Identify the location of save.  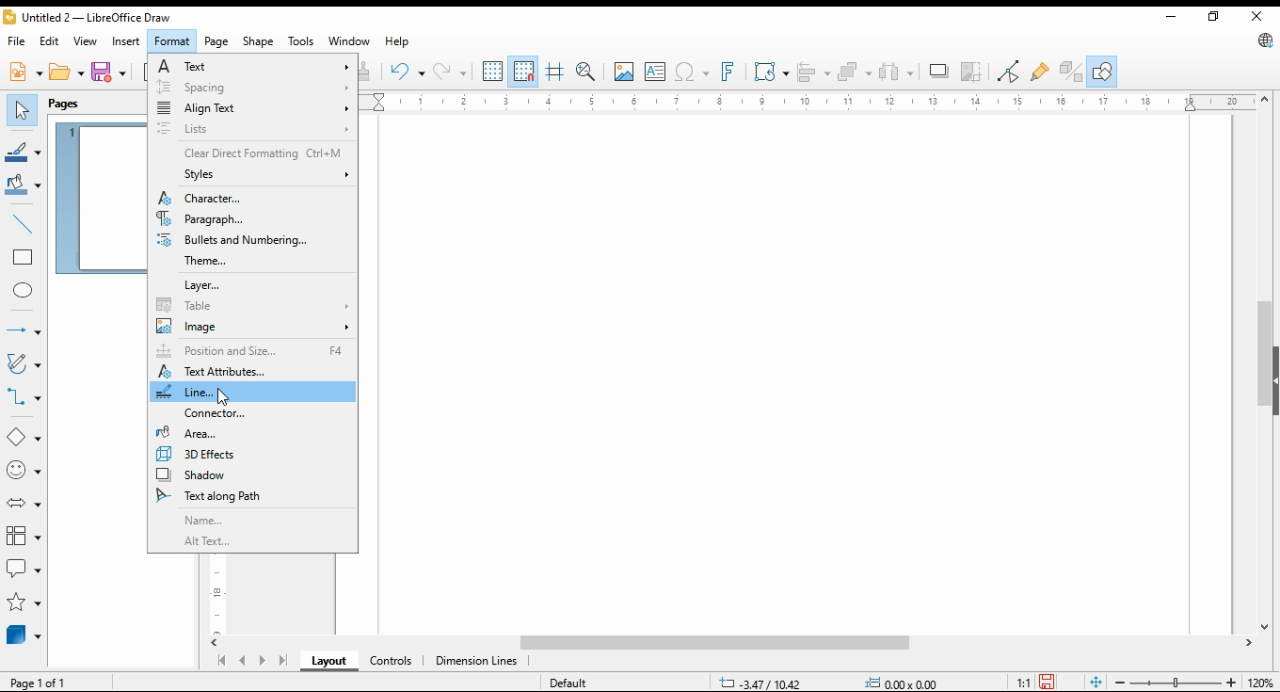
(1046, 682).